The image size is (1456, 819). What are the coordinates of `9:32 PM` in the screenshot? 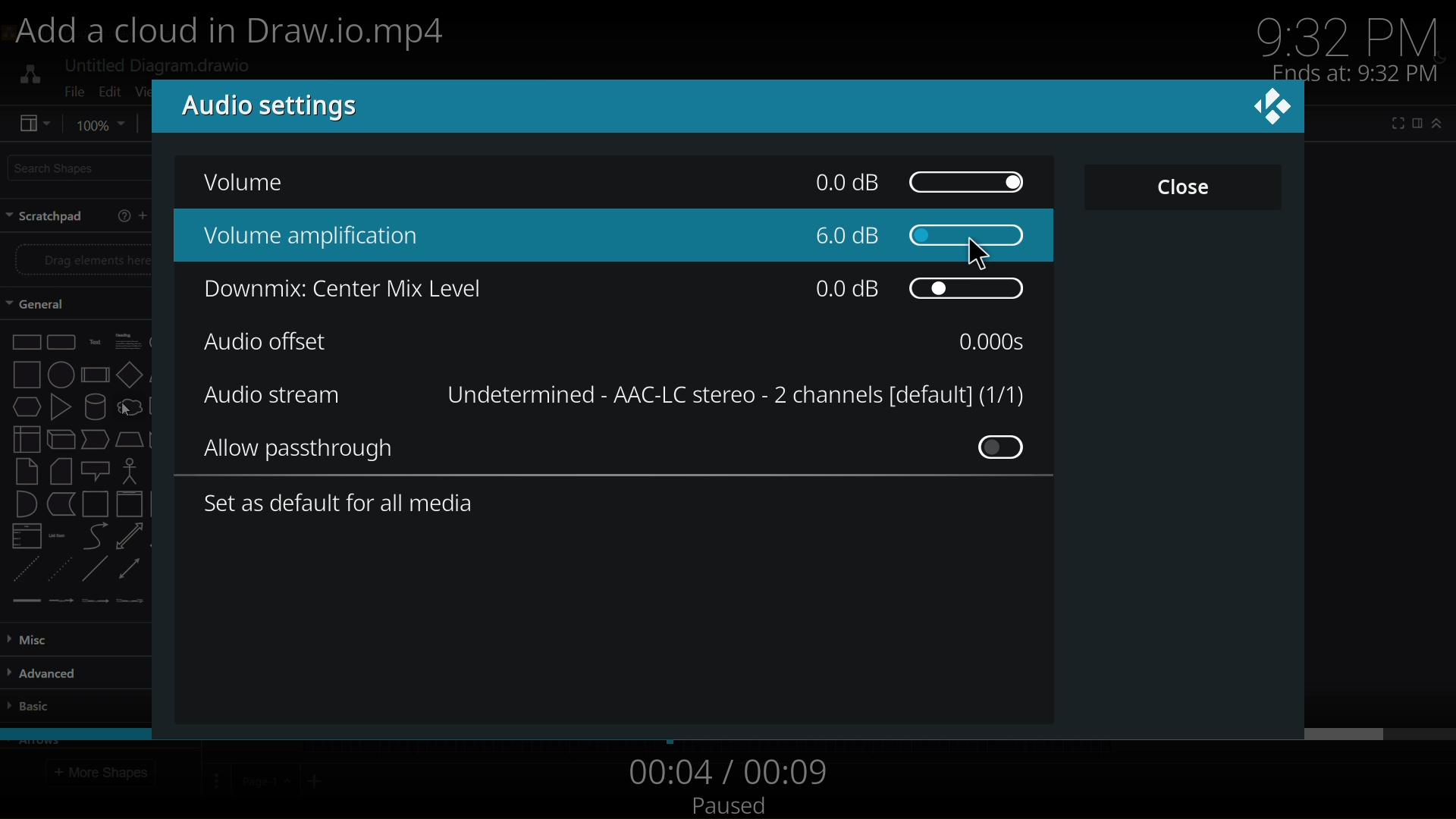 It's located at (1355, 33).